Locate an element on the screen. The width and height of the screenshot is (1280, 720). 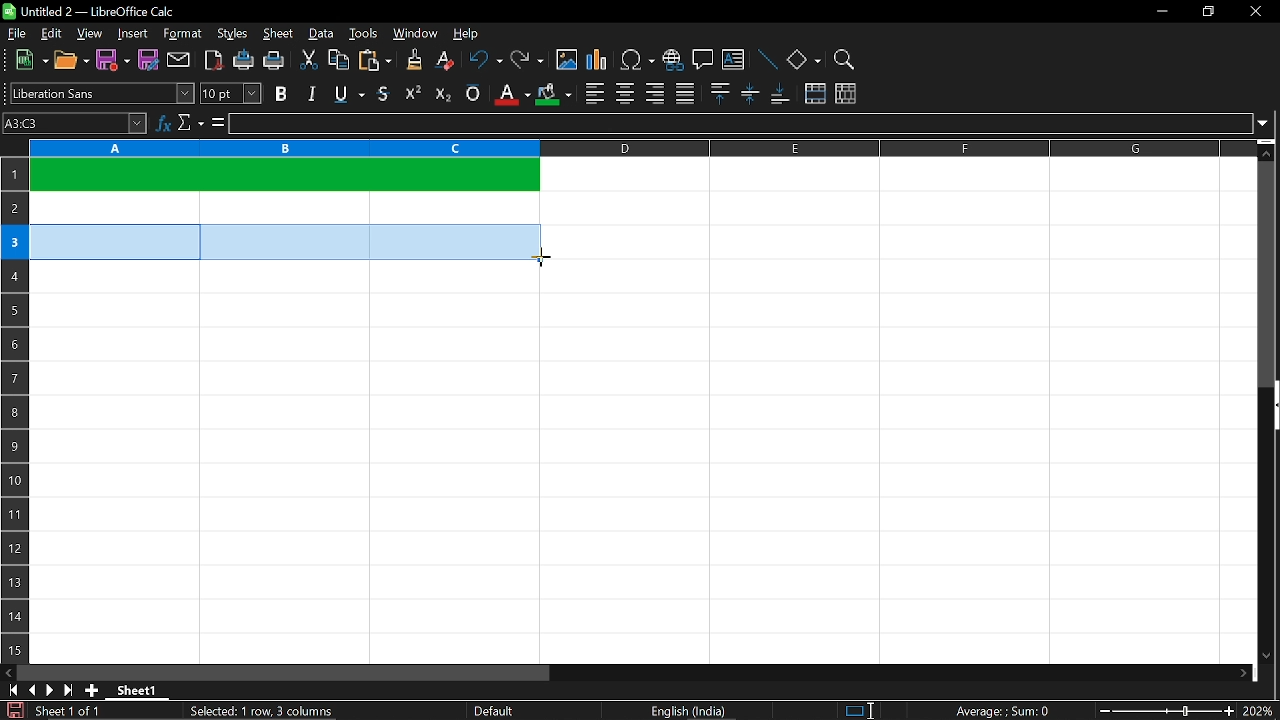
align top is located at coordinates (719, 94).